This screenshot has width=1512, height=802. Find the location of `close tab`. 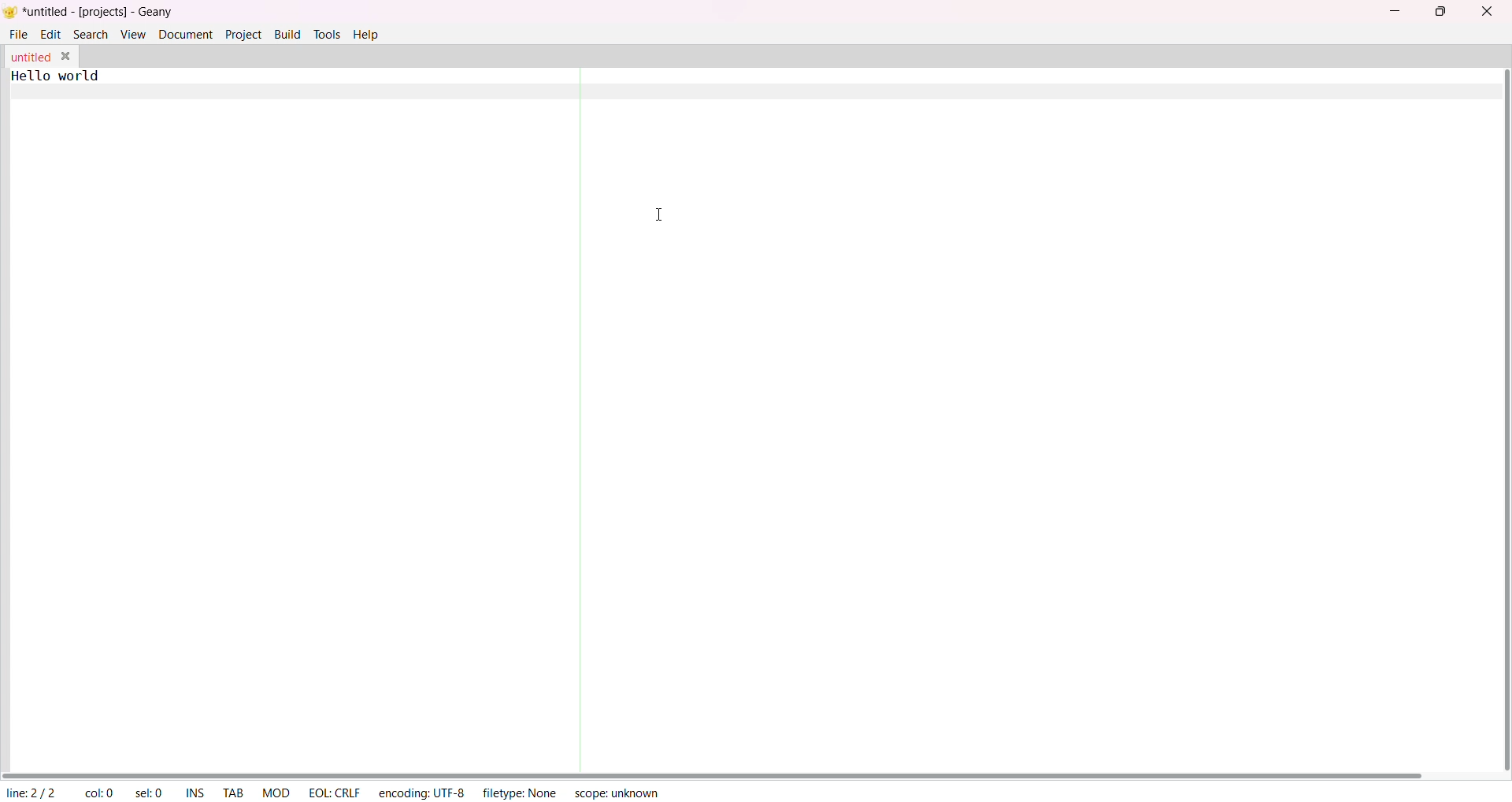

close tab is located at coordinates (69, 56).